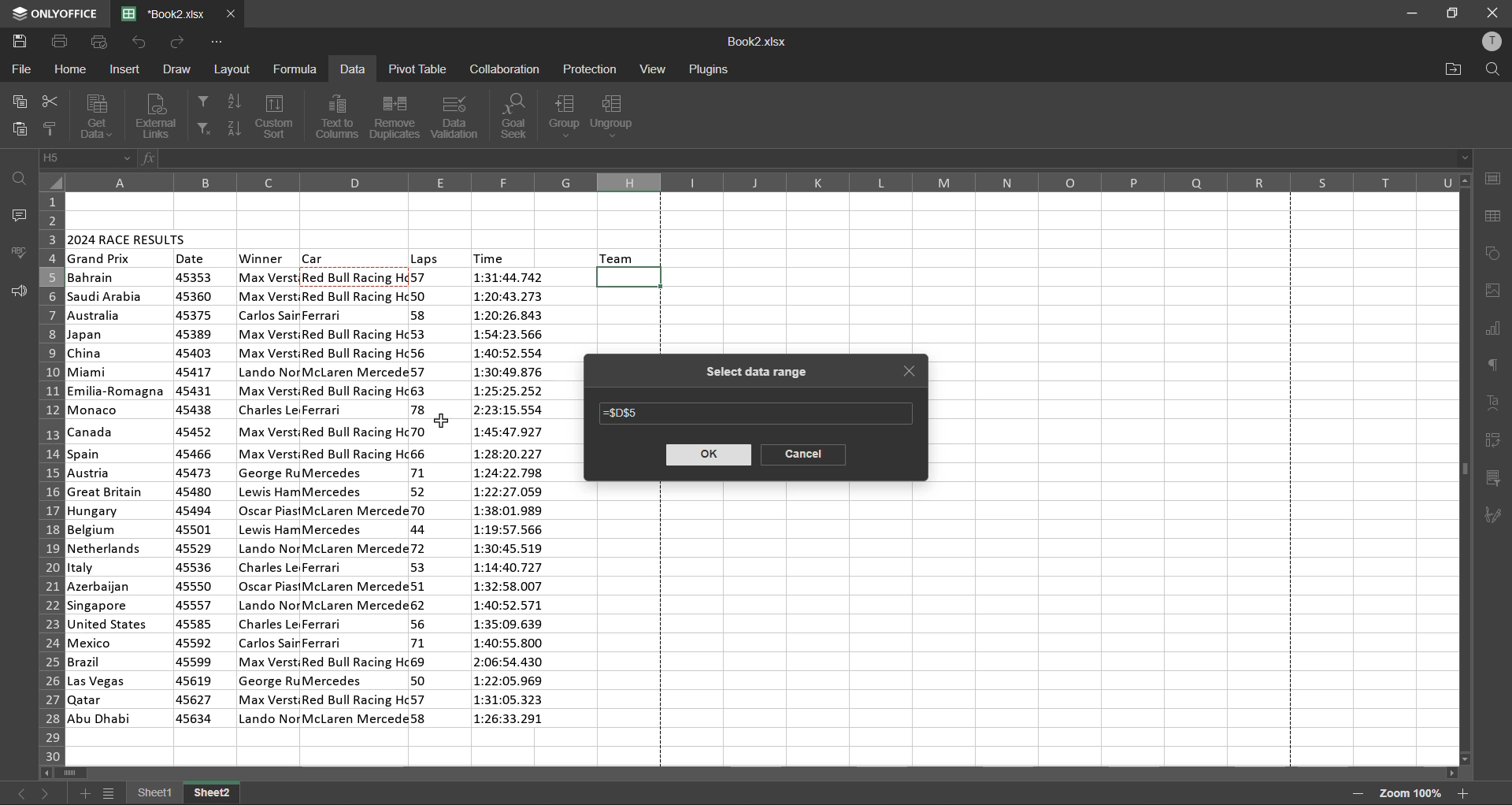 The width and height of the screenshot is (1512, 805). I want to click on time, so click(491, 257).